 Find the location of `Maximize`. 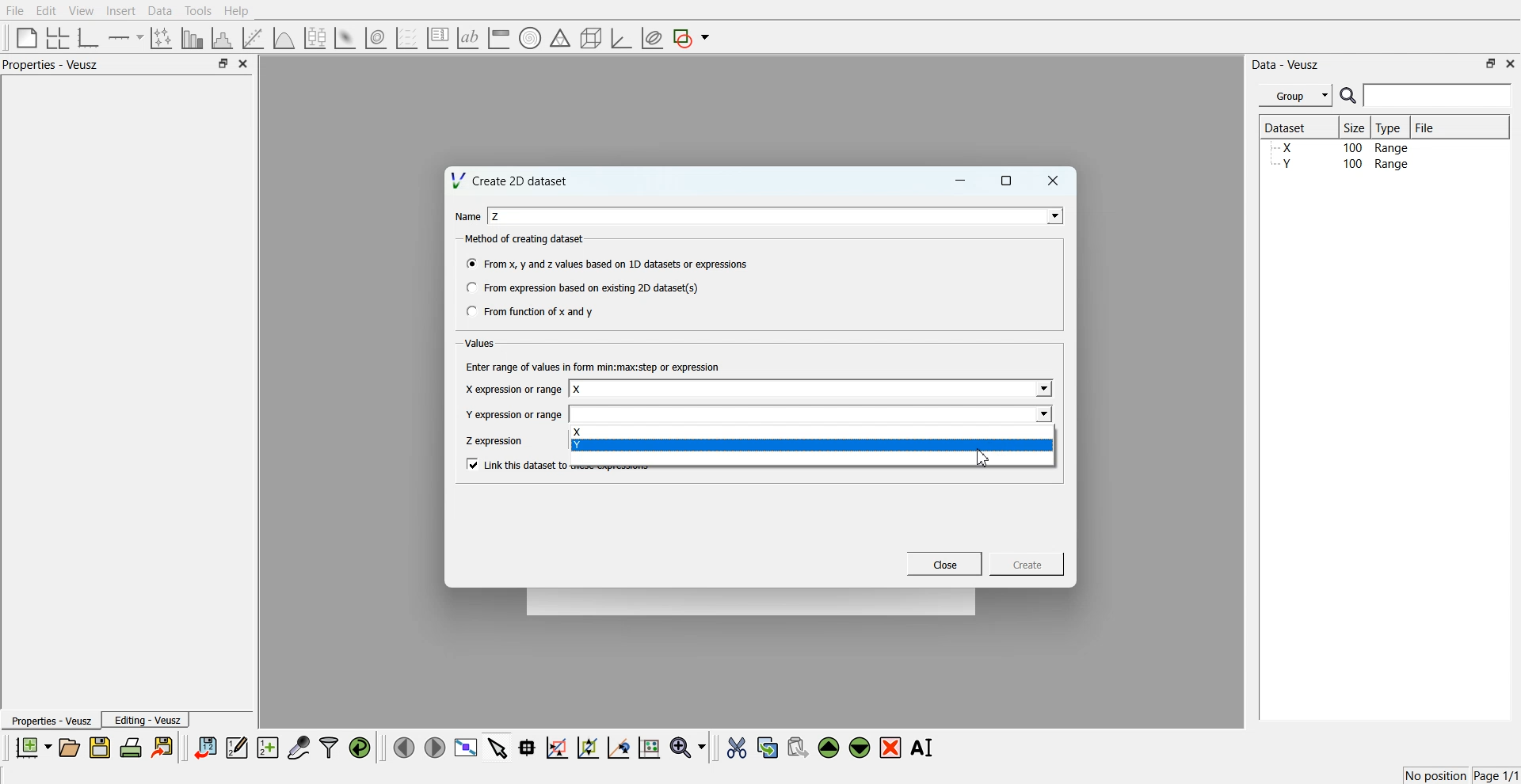

Maximize is located at coordinates (1491, 63).